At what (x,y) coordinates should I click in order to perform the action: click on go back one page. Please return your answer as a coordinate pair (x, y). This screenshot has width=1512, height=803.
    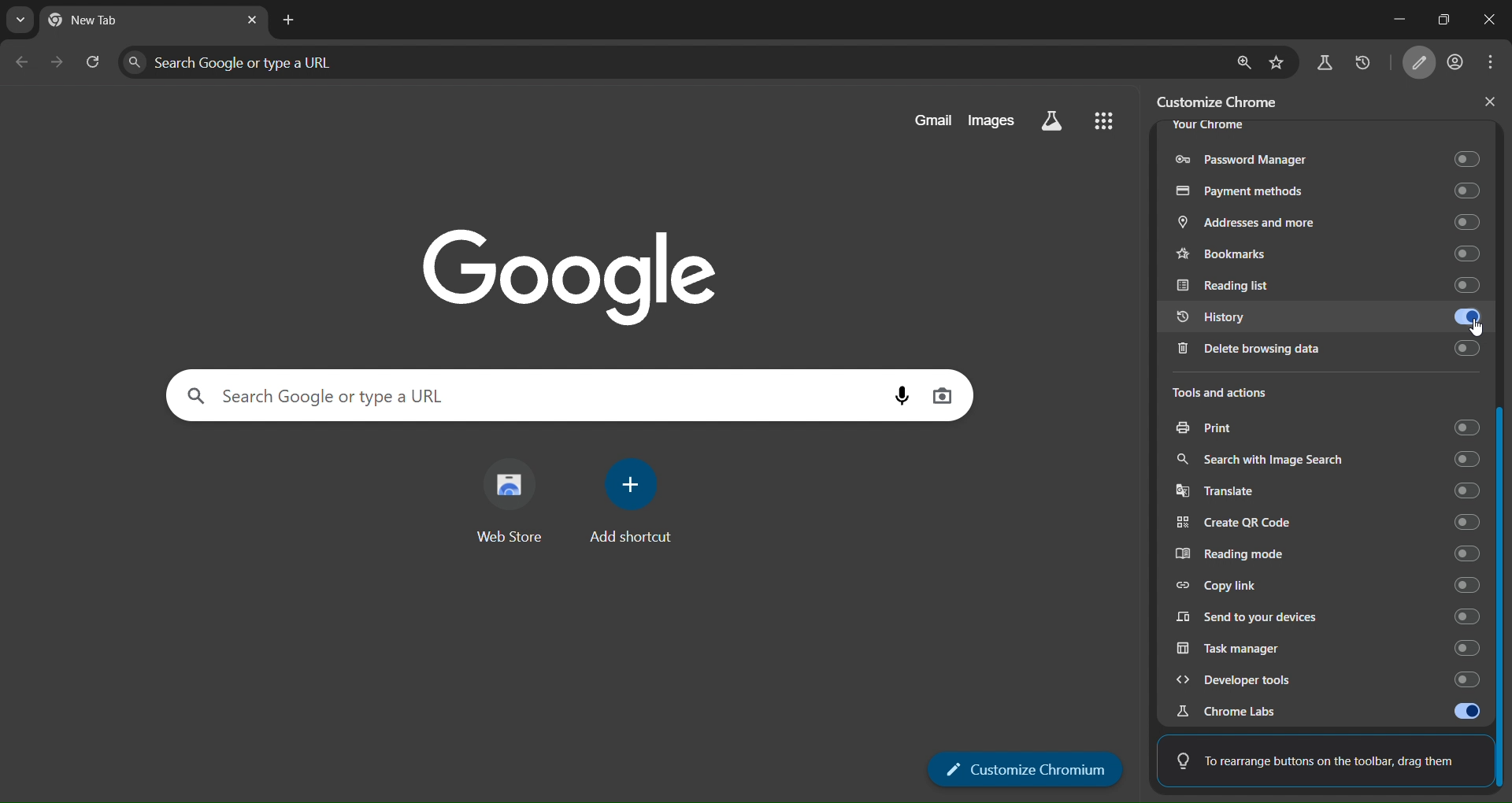
    Looking at the image, I should click on (22, 61).